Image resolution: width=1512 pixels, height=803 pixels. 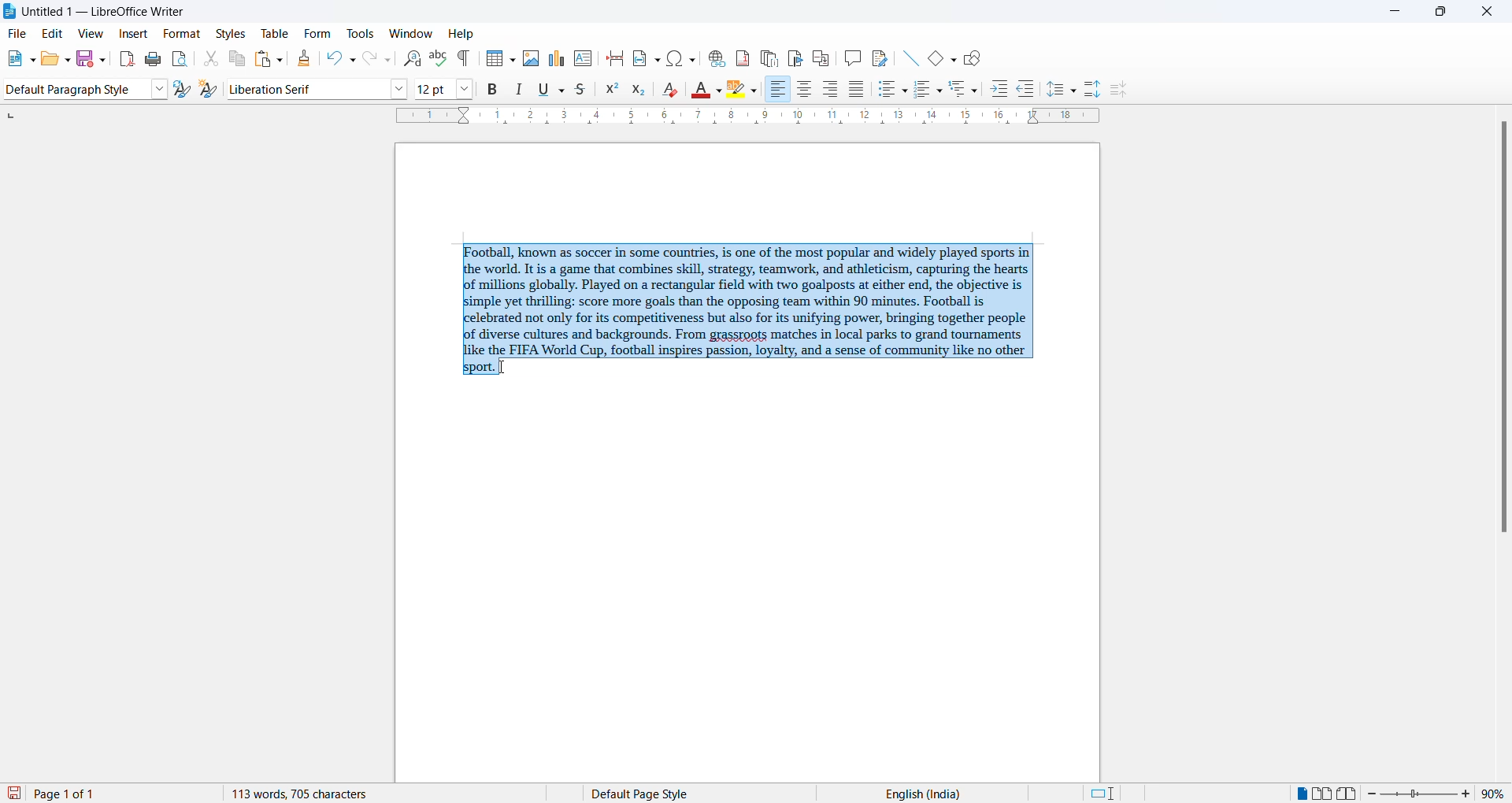 I want to click on maximize, so click(x=1440, y=13).